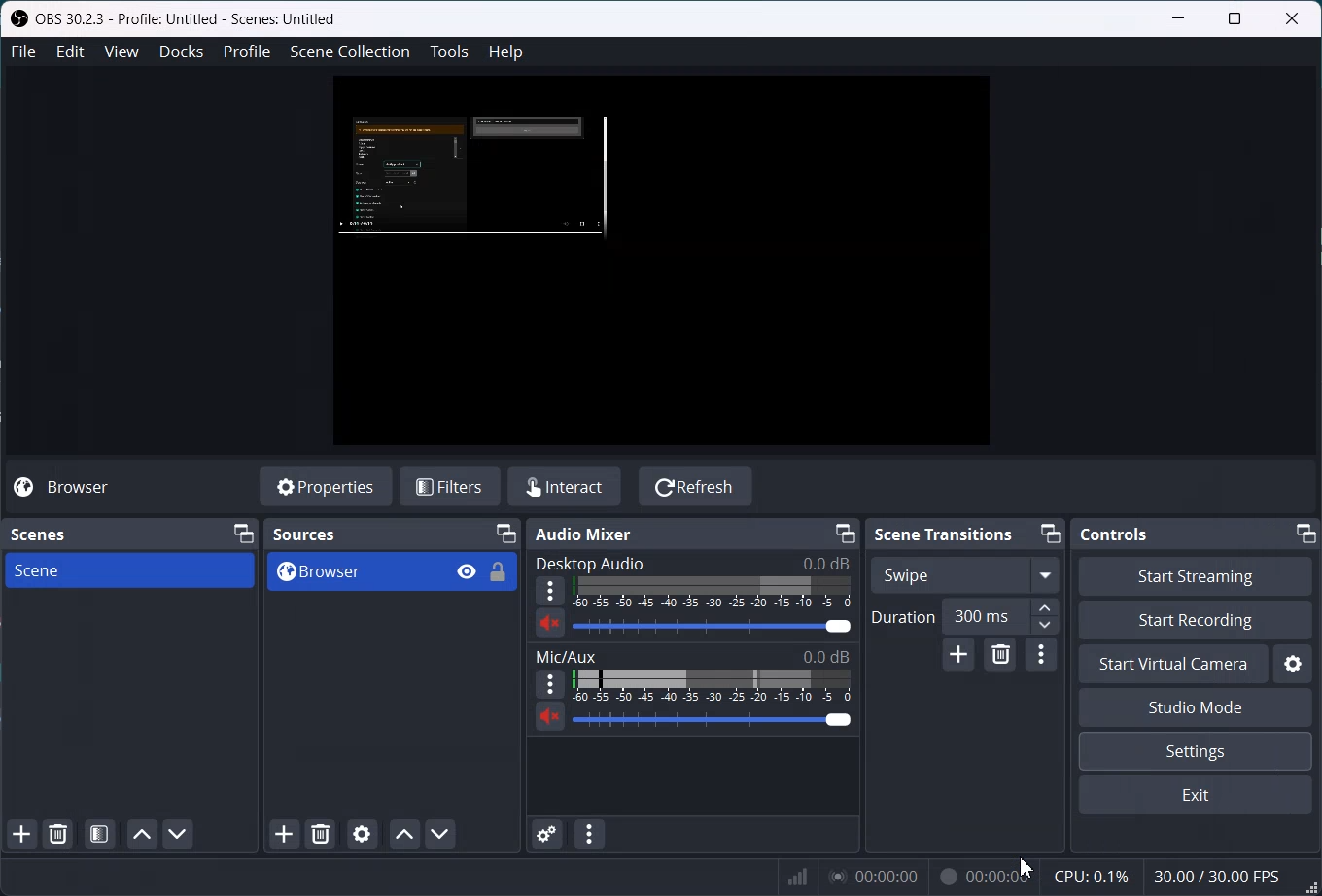 The image size is (1322, 896). I want to click on Mute/ Unmute, so click(548, 718).